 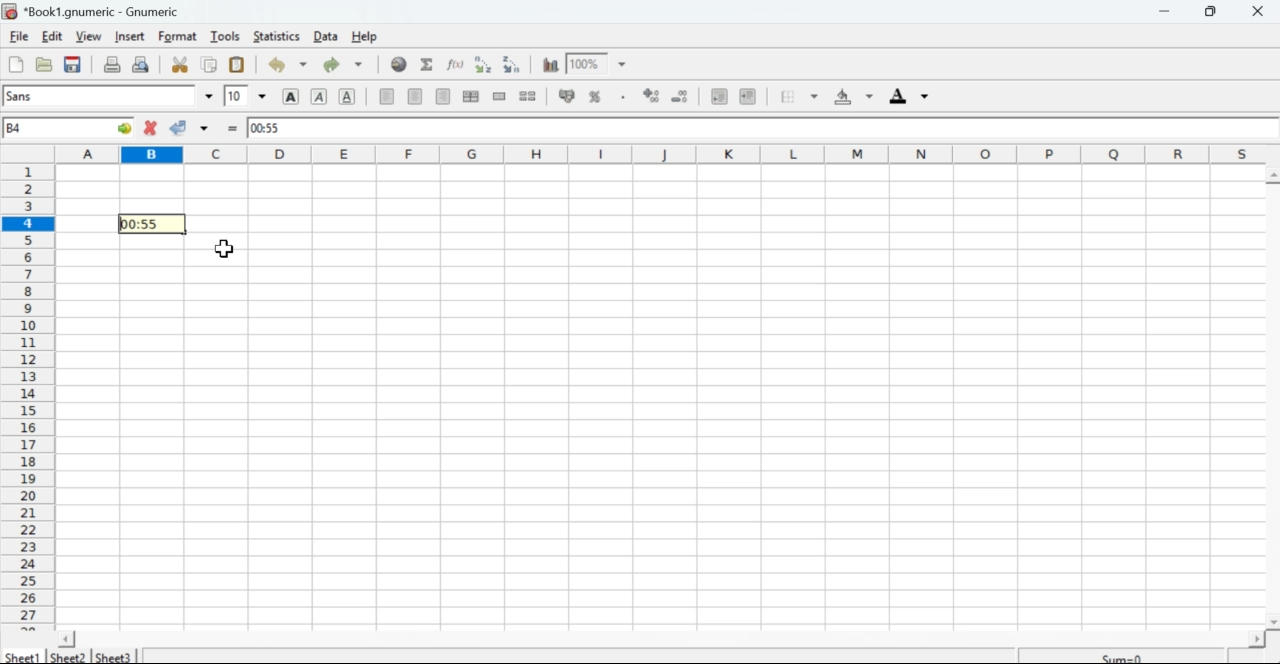 I want to click on Redo, so click(x=331, y=66).